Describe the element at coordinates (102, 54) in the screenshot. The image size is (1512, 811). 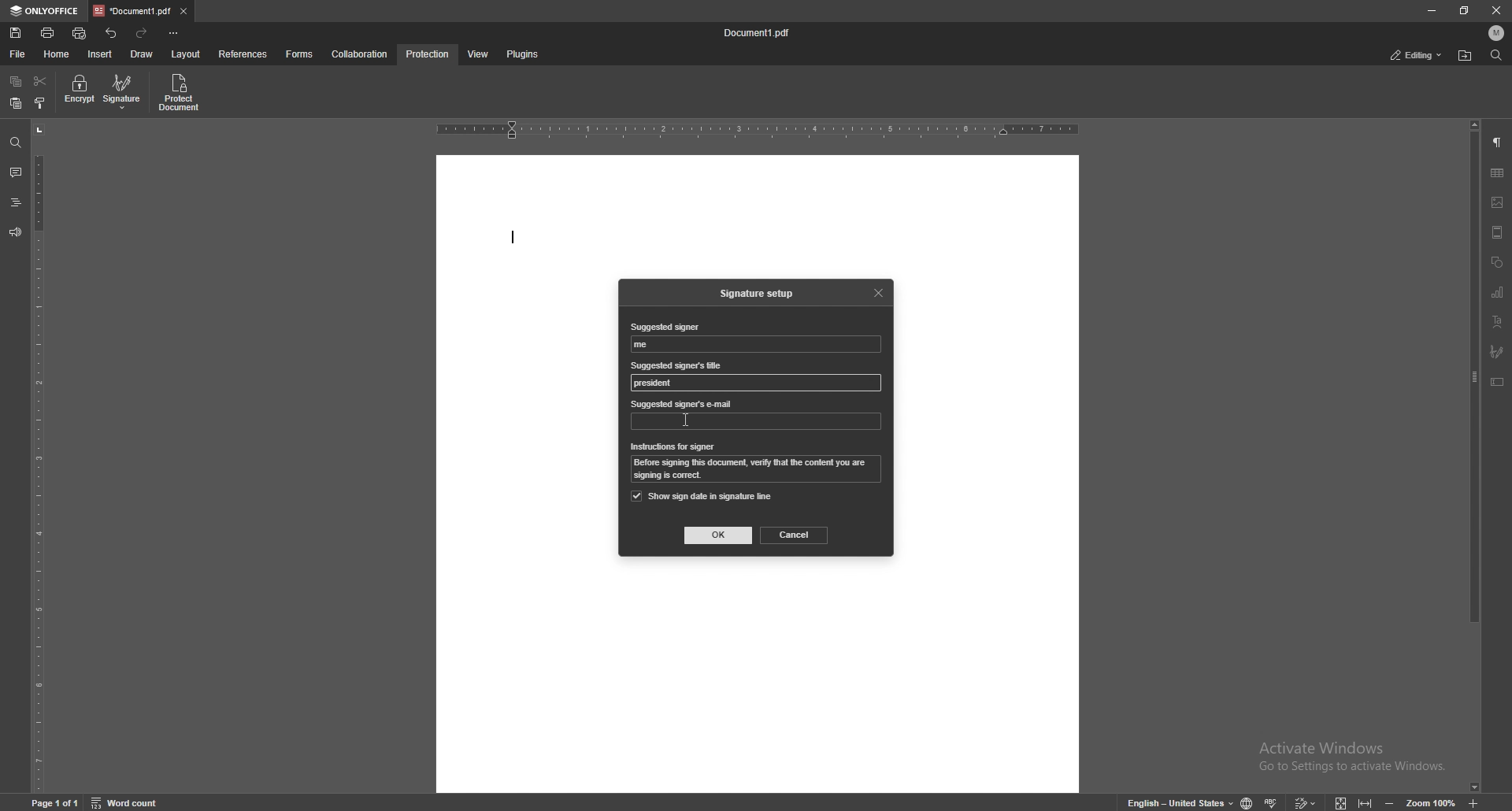
I see `insert` at that location.